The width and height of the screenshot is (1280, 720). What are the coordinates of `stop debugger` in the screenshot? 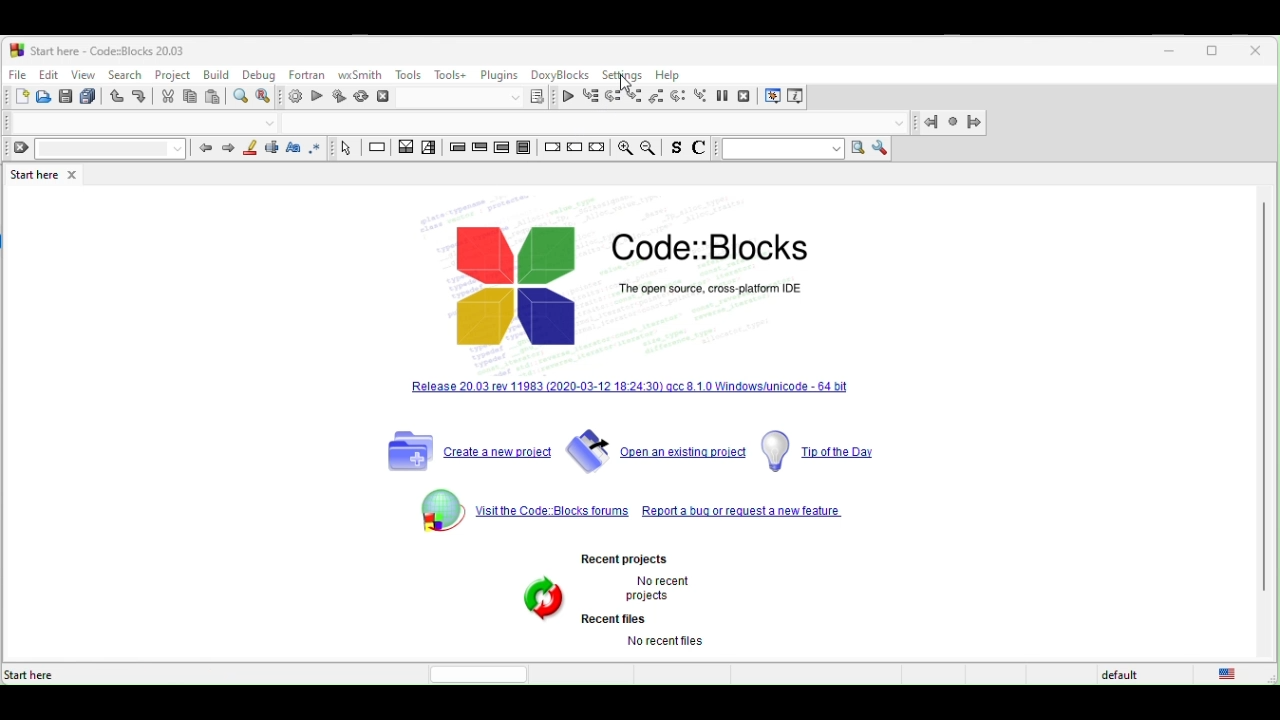 It's located at (746, 95).